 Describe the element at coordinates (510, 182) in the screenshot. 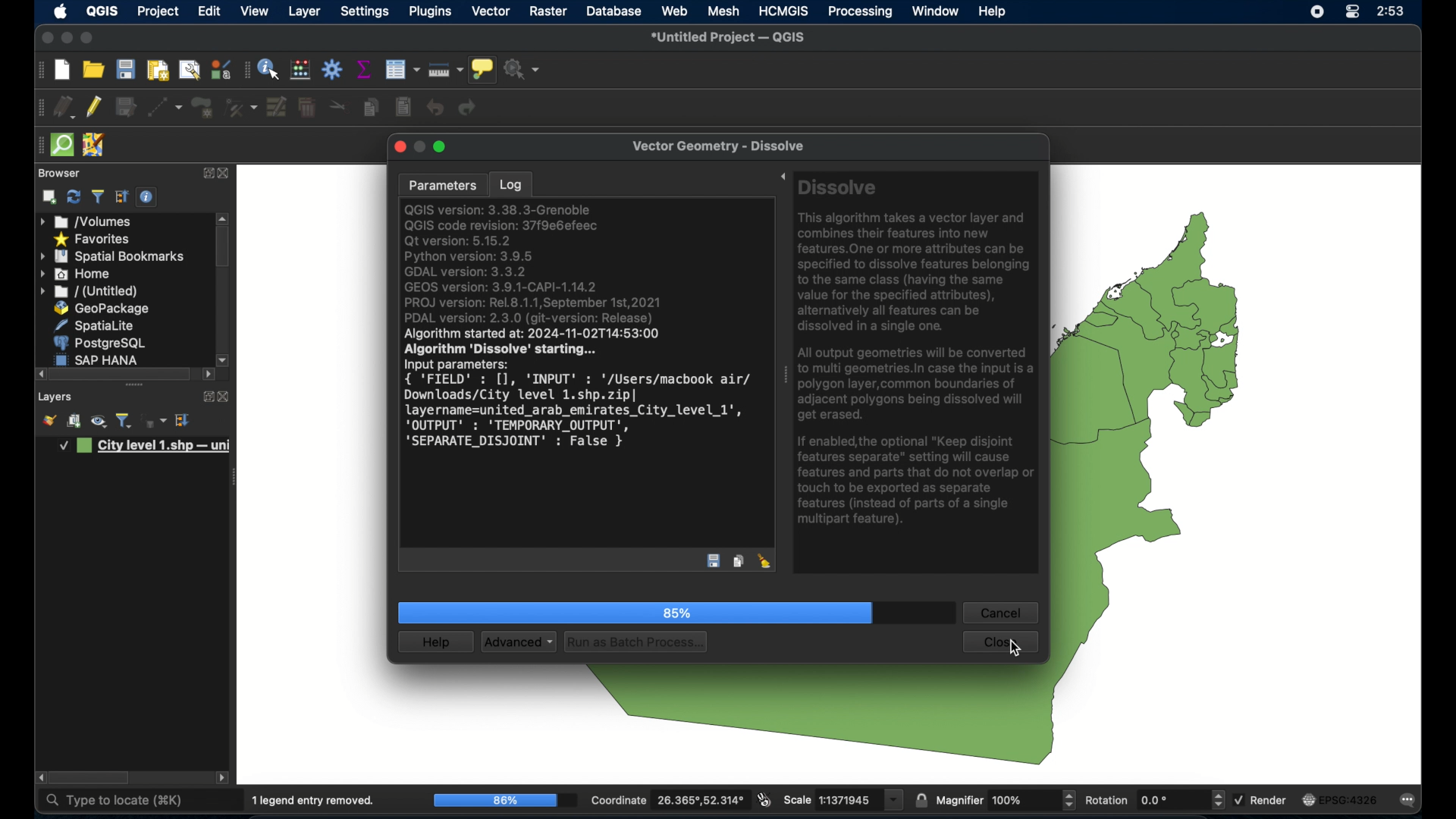

I see `log tab` at that location.